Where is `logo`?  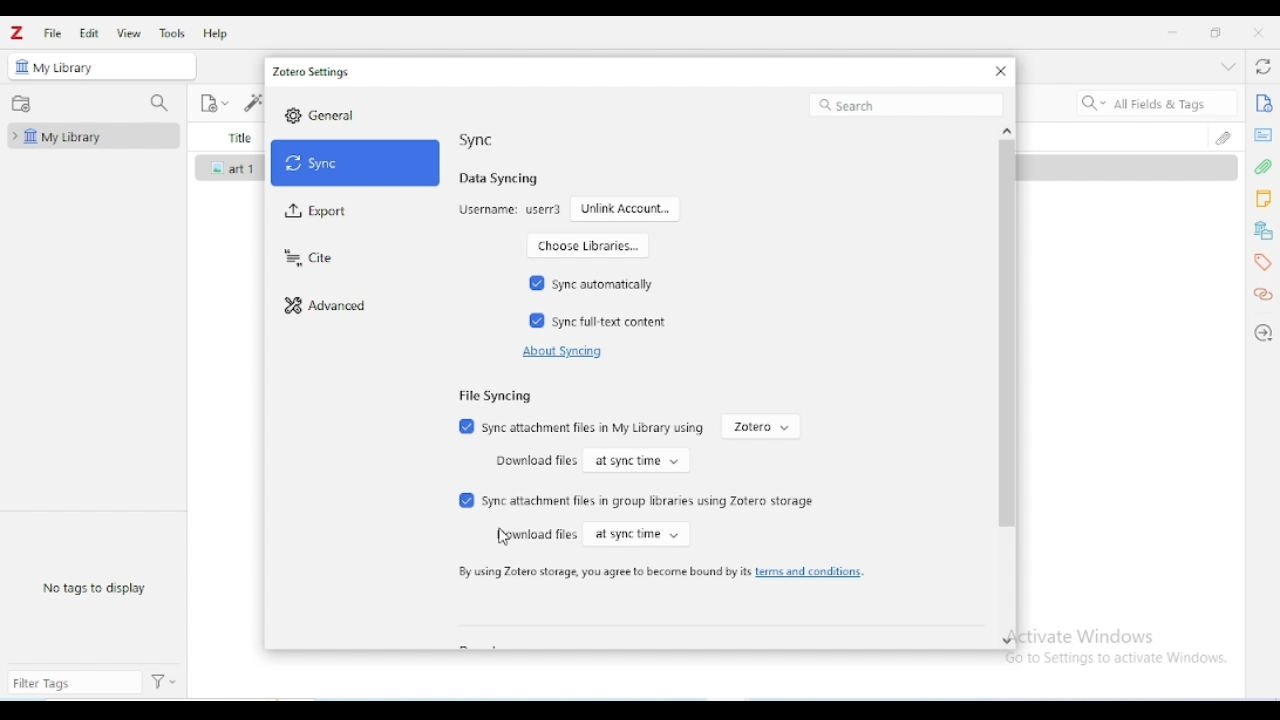
logo is located at coordinates (16, 32).